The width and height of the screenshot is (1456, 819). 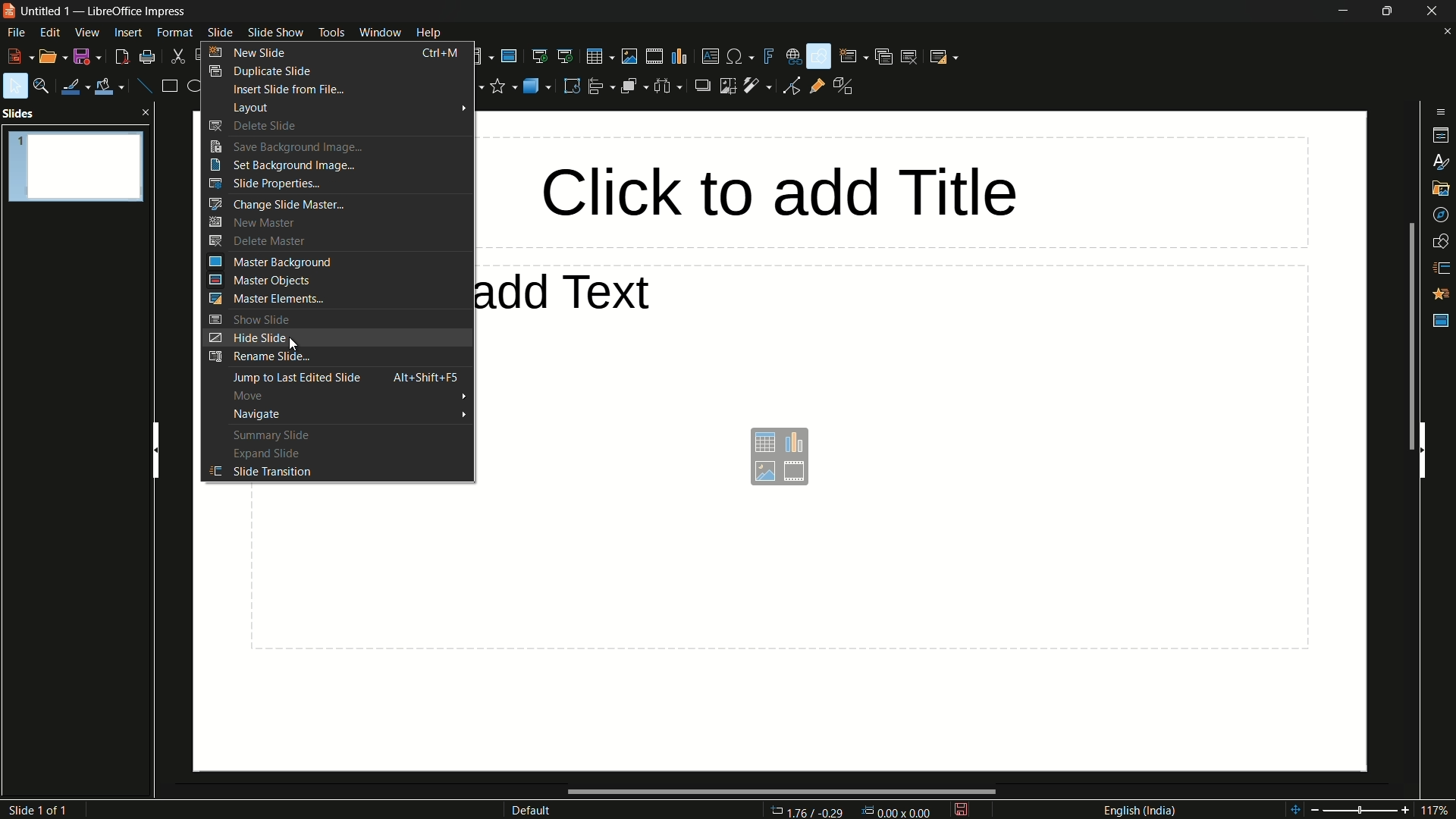 What do you see at coordinates (176, 58) in the screenshot?
I see `cut` at bounding box center [176, 58].